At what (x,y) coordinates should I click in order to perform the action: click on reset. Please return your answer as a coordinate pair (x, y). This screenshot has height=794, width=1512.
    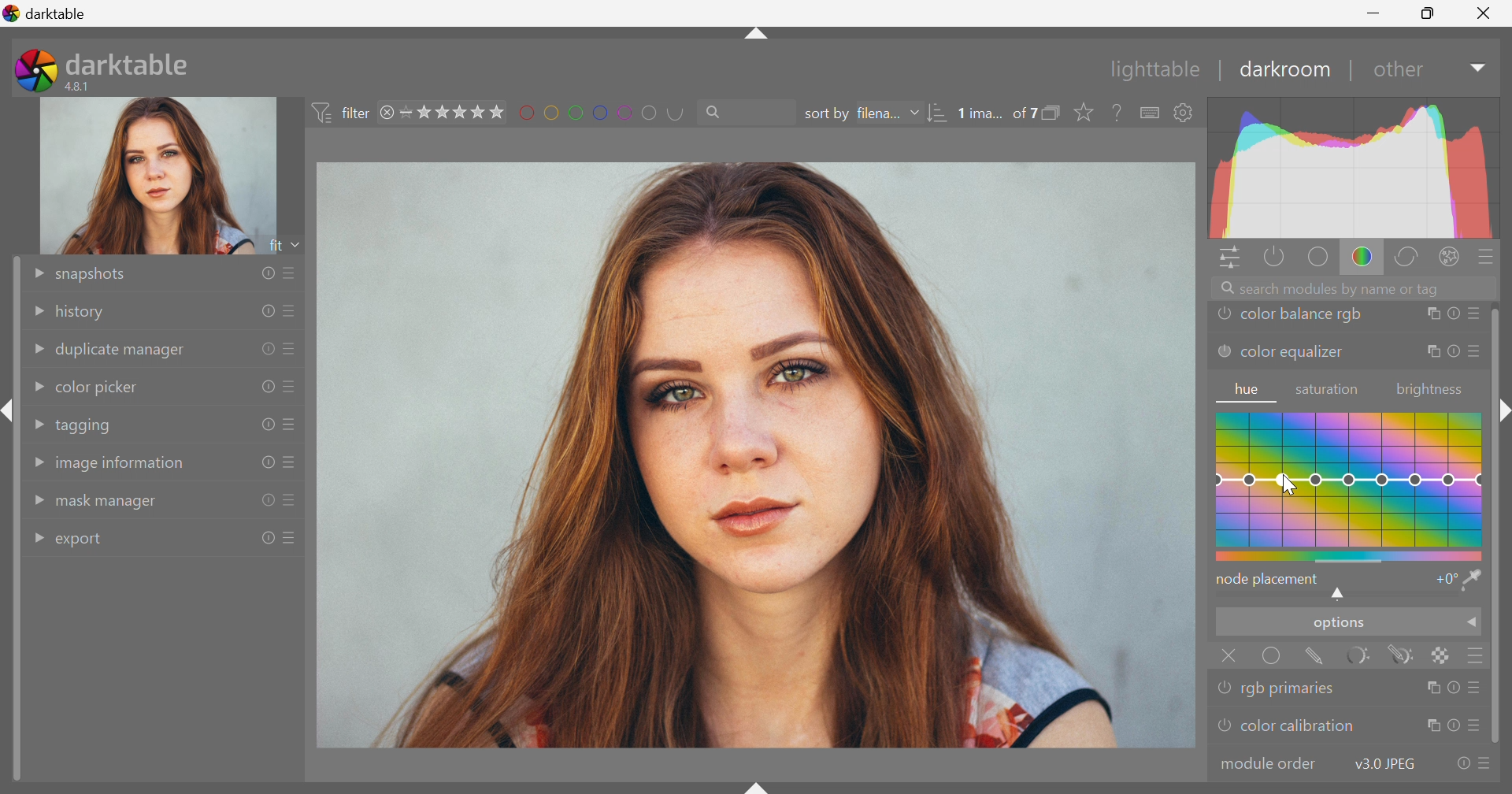
    Looking at the image, I should click on (1452, 726).